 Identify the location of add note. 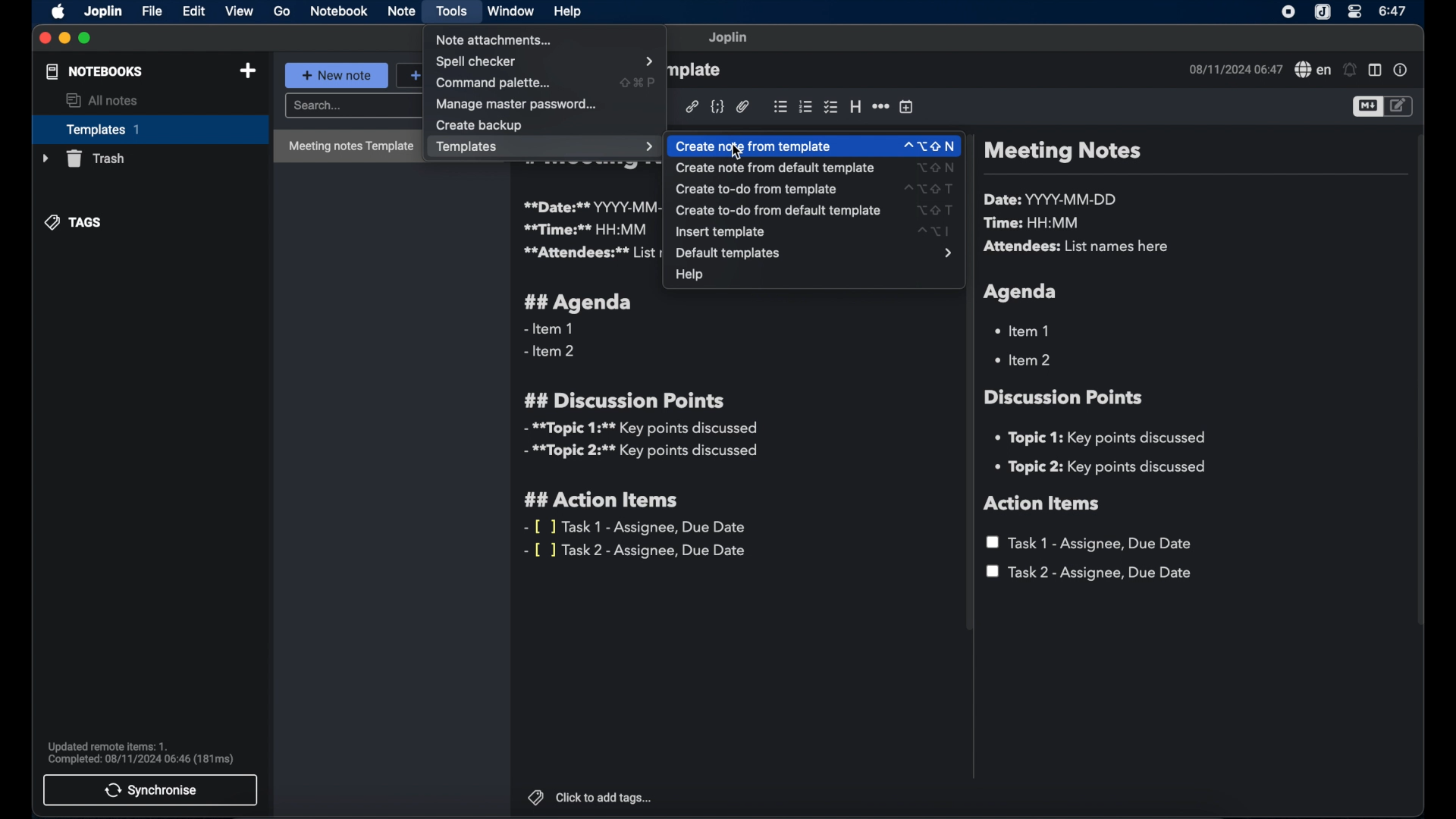
(248, 71).